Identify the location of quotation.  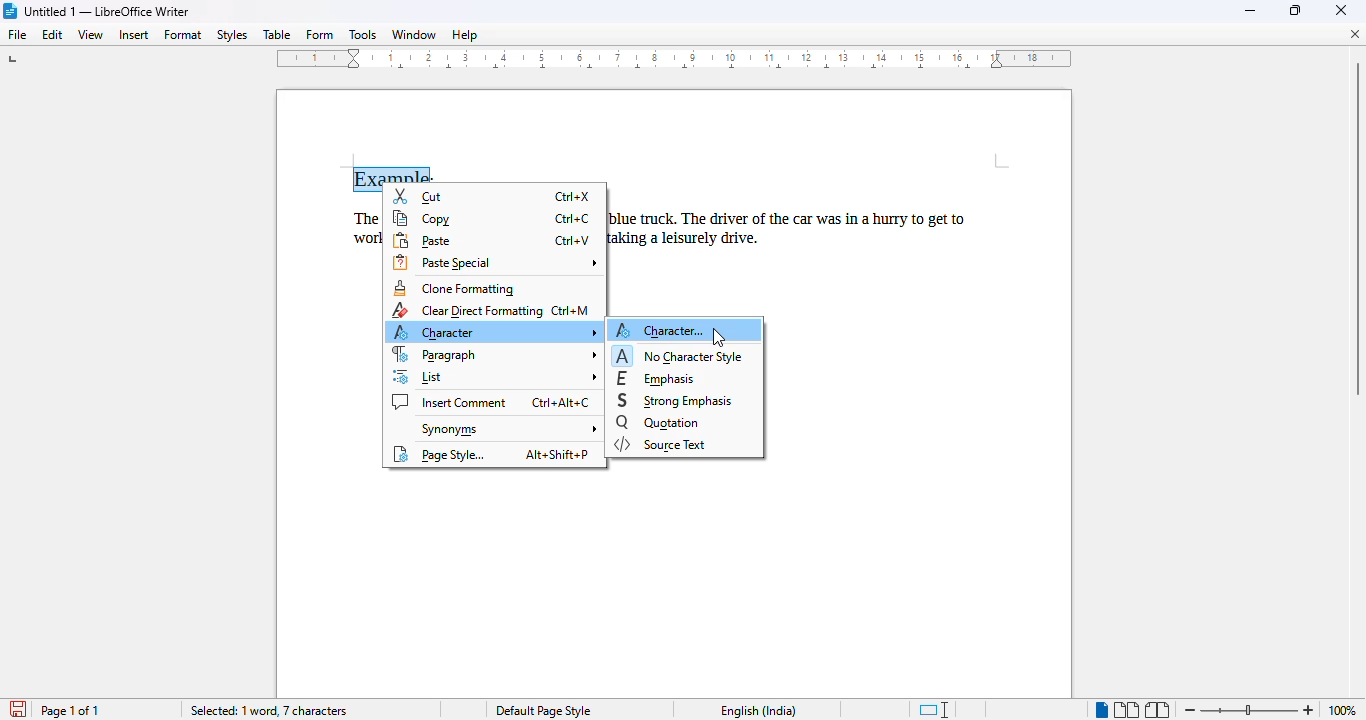
(657, 422).